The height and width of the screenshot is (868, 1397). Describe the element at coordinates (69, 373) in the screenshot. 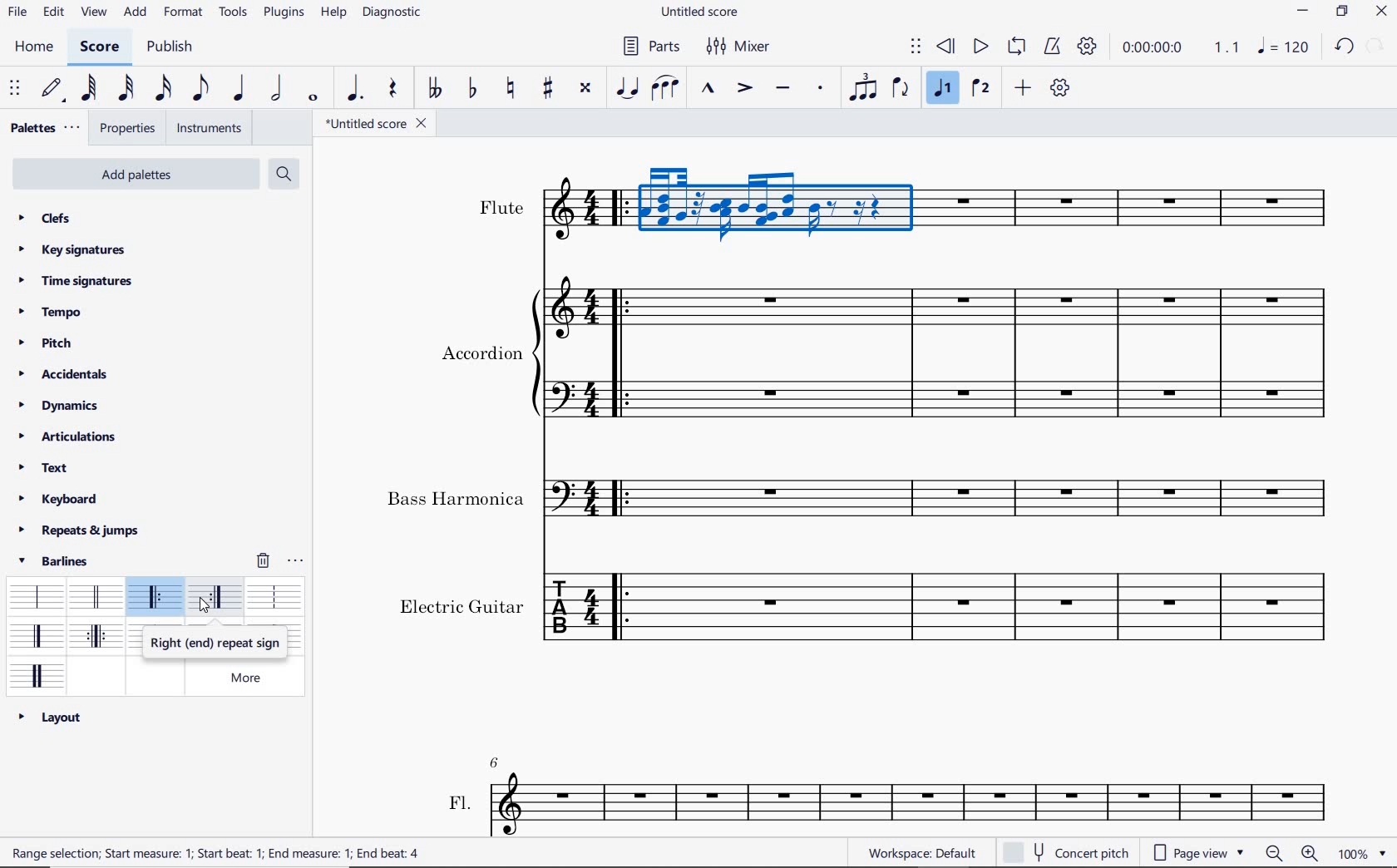

I see `accidentals` at that location.